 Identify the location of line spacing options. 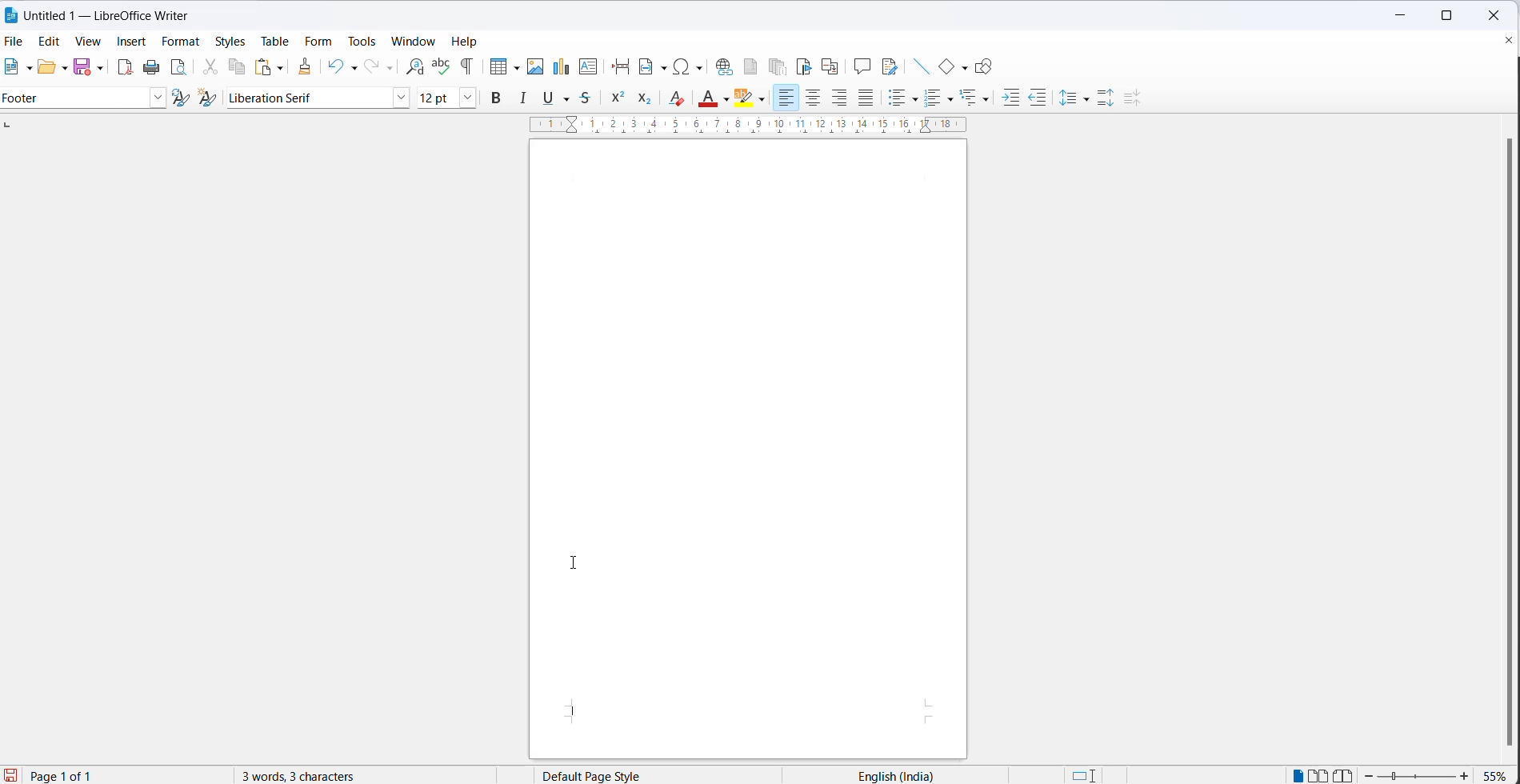
(1083, 100).